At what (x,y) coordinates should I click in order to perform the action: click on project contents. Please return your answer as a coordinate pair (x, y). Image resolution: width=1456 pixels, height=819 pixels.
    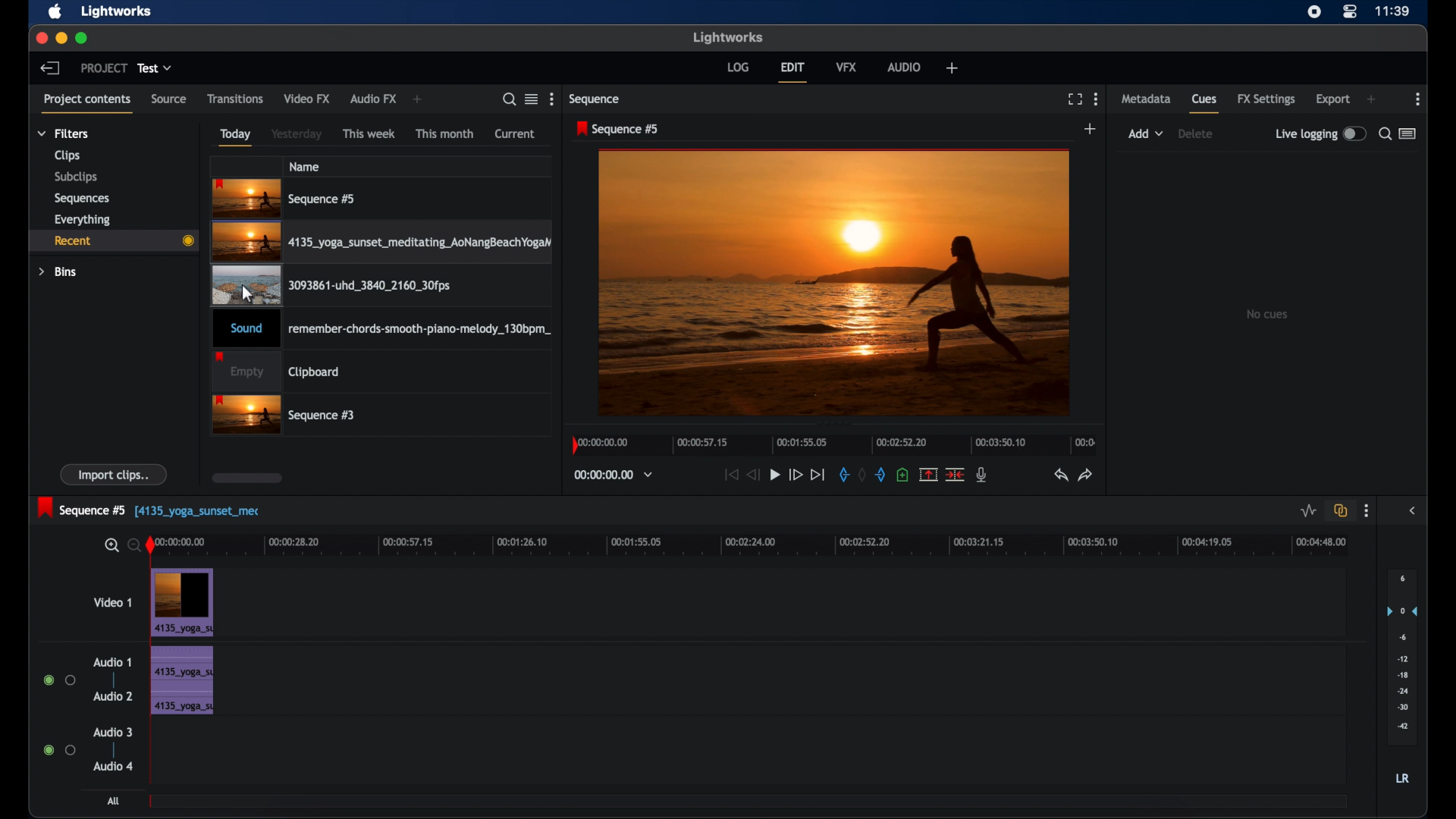
    Looking at the image, I should click on (87, 104).